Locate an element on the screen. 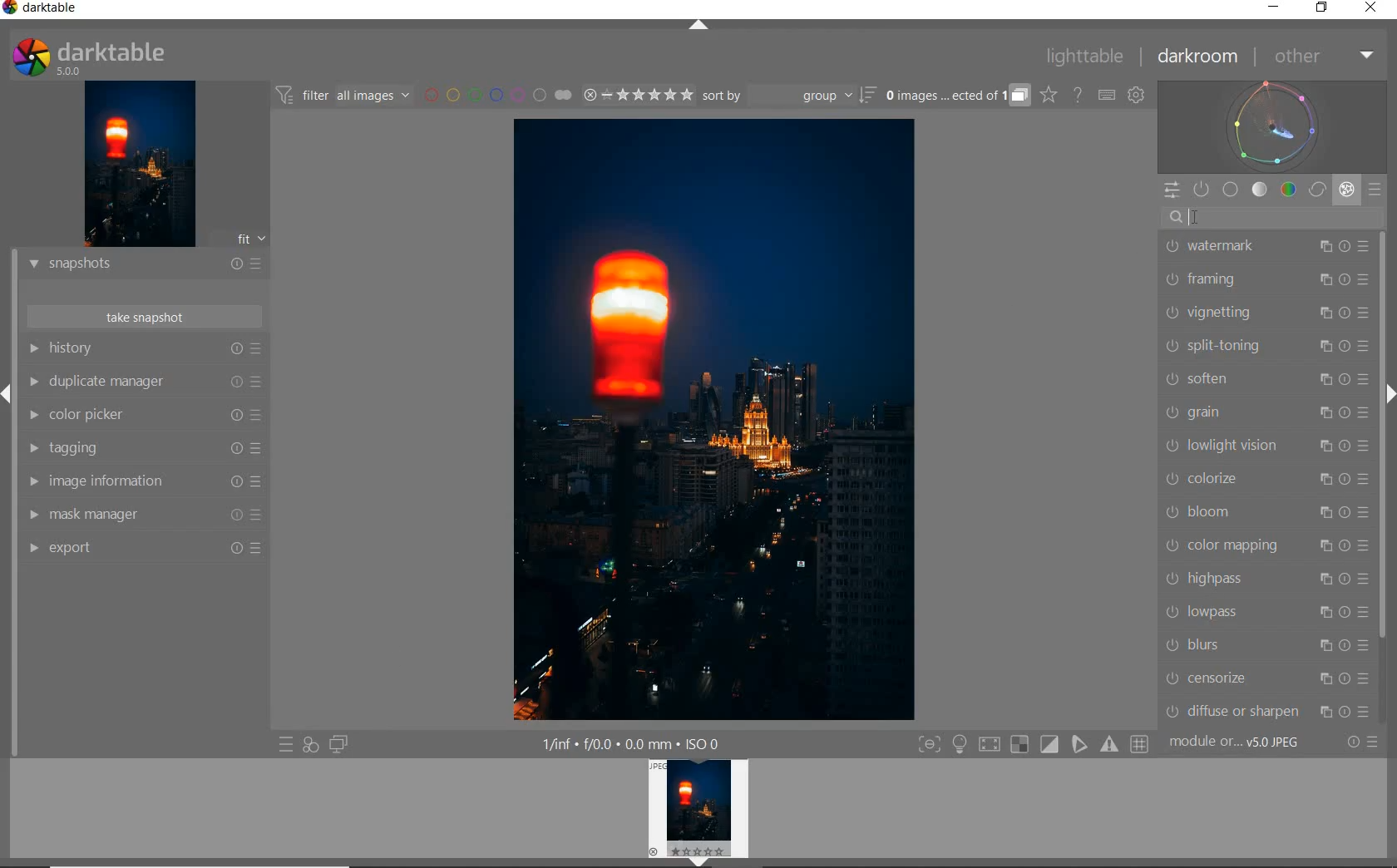 The width and height of the screenshot is (1397, 868). Reset is located at coordinates (1343, 412).